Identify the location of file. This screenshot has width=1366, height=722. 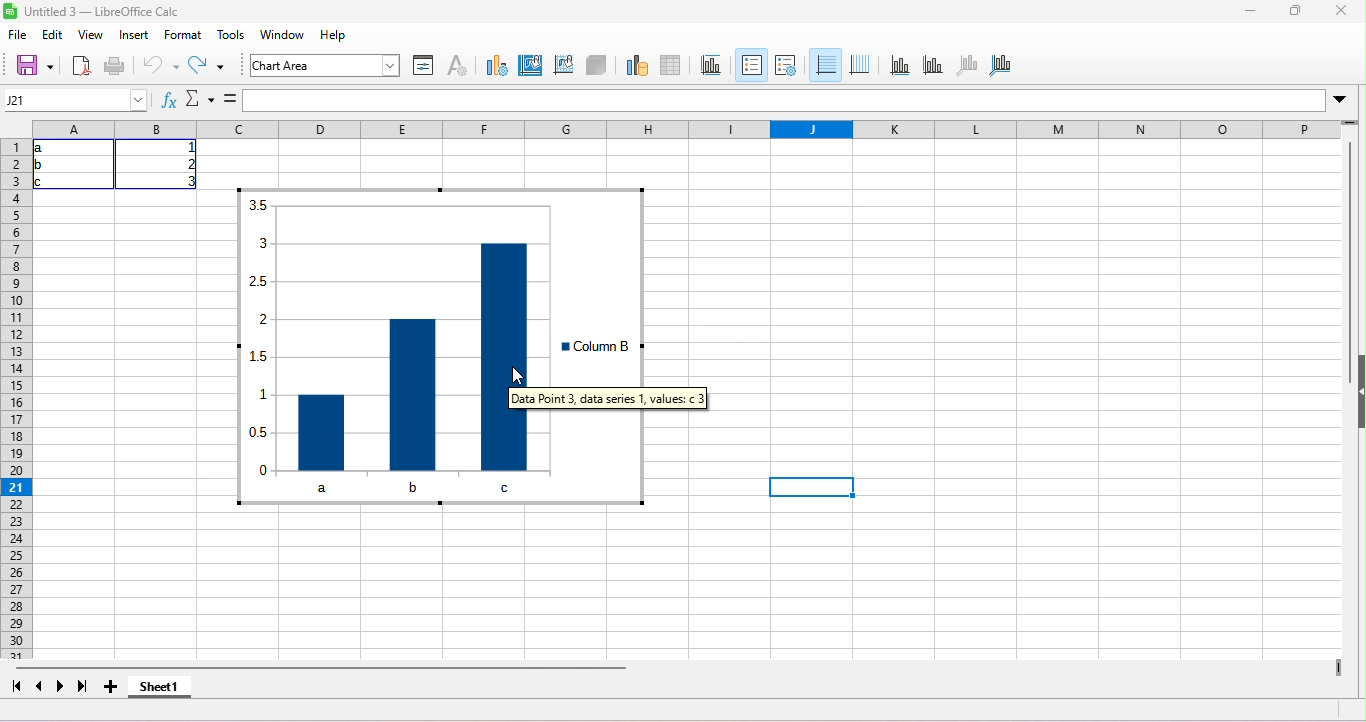
(18, 37).